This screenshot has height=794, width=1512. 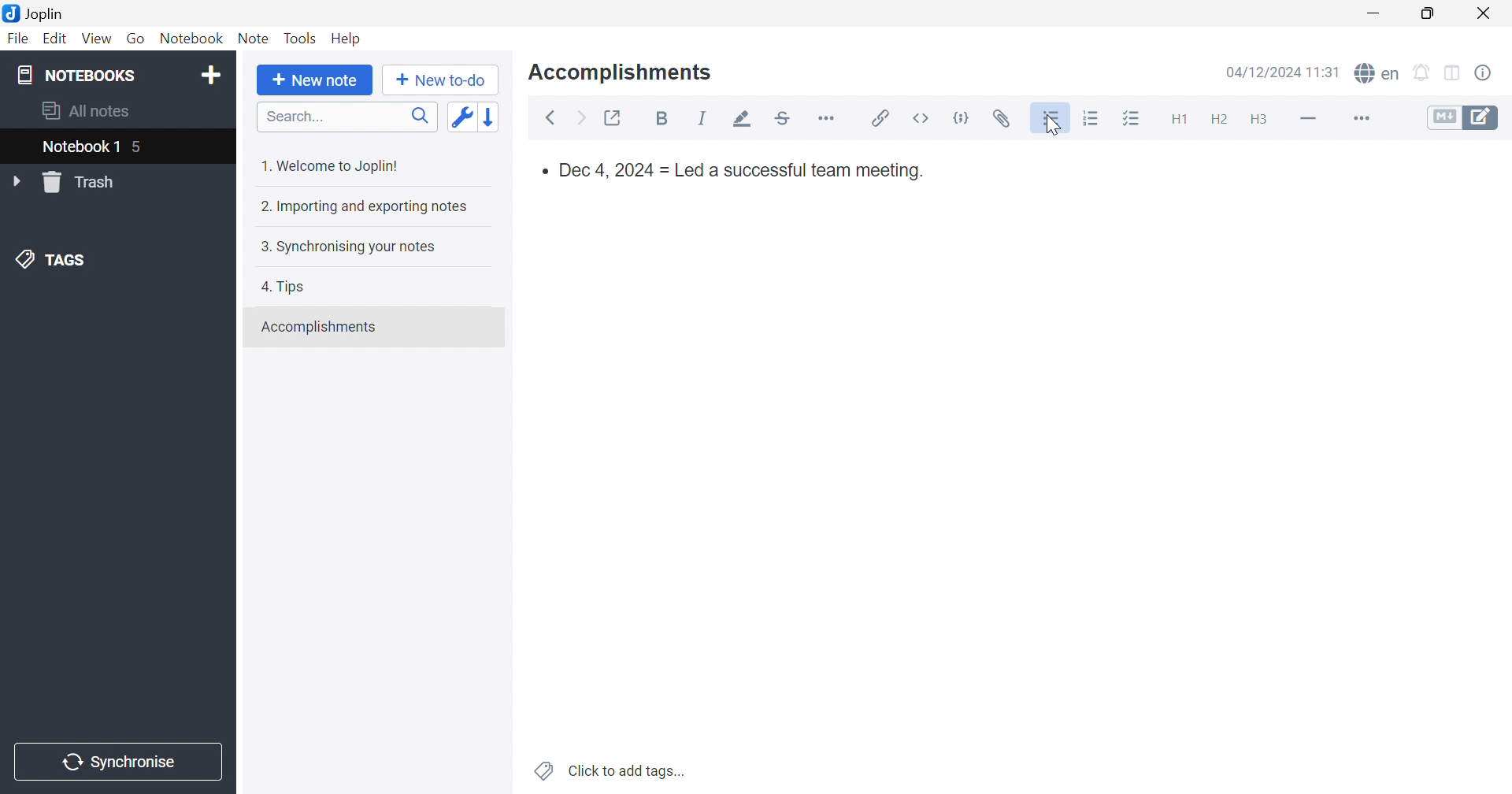 What do you see at coordinates (612, 117) in the screenshot?
I see `Toggle external editing` at bounding box center [612, 117].